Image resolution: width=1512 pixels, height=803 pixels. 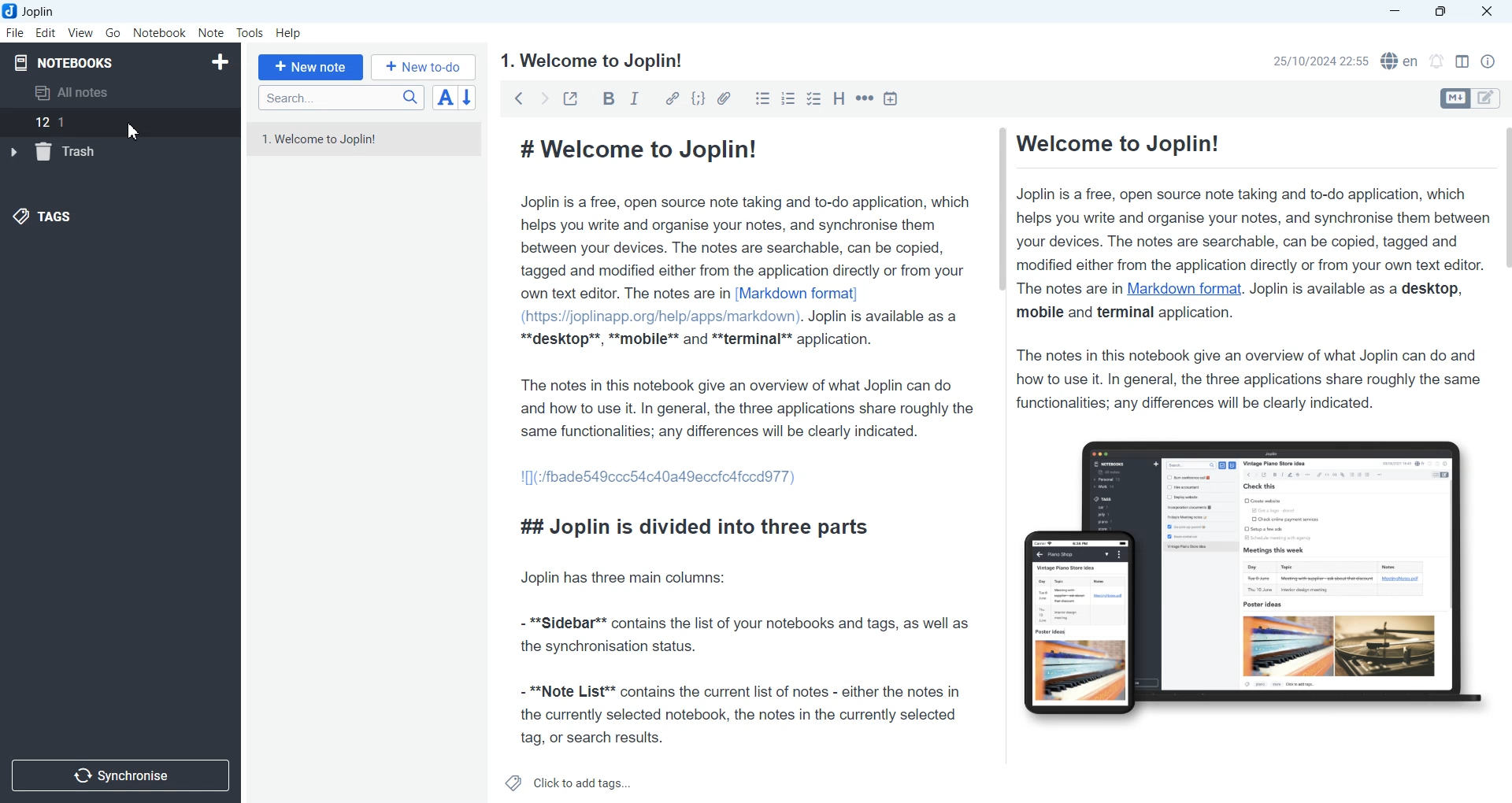 What do you see at coordinates (590, 61) in the screenshot?
I see `1. Welcome to Joplin!` at bounding box center [590, 61].